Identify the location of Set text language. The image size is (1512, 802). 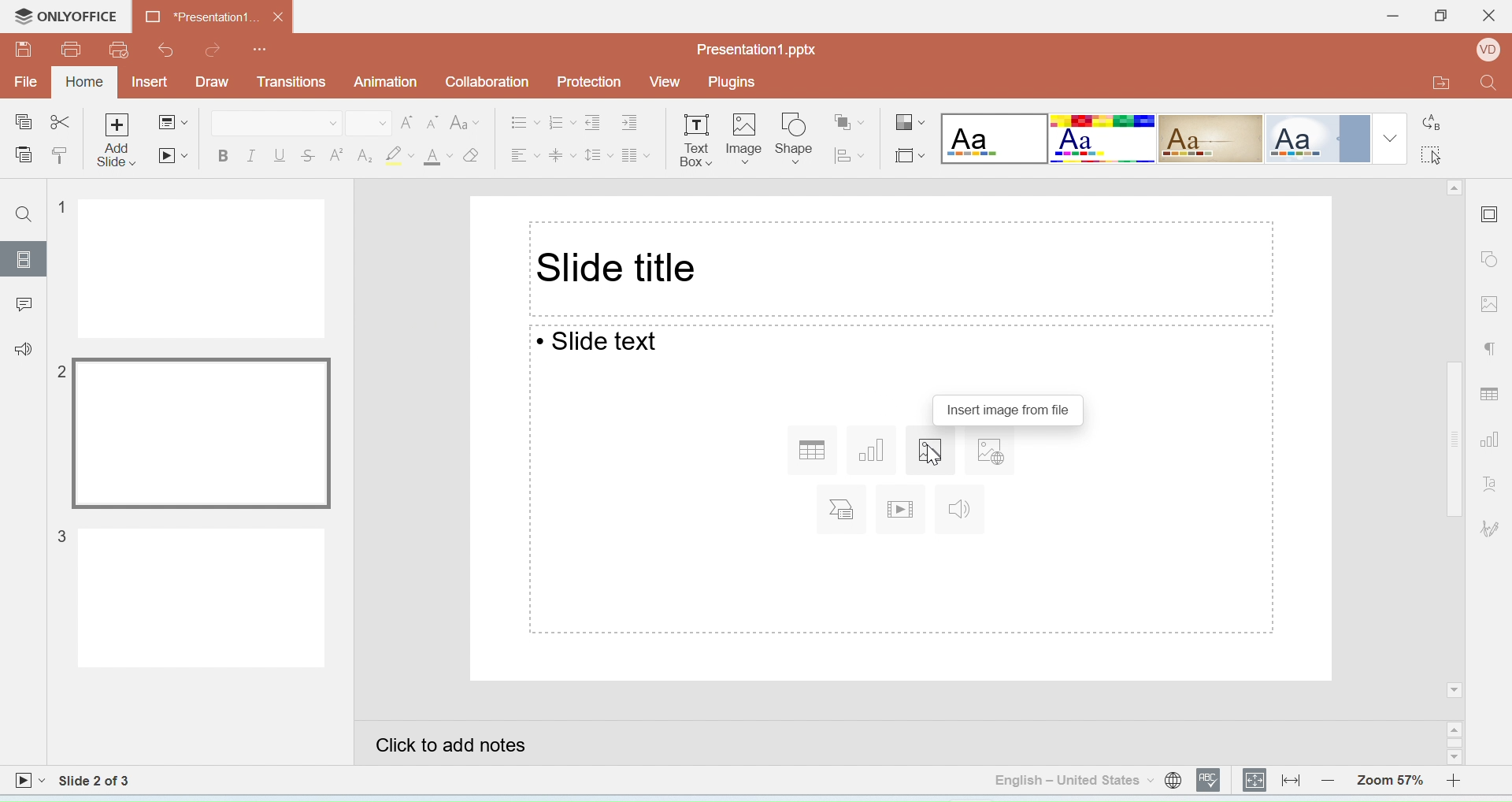
(1073, 780).